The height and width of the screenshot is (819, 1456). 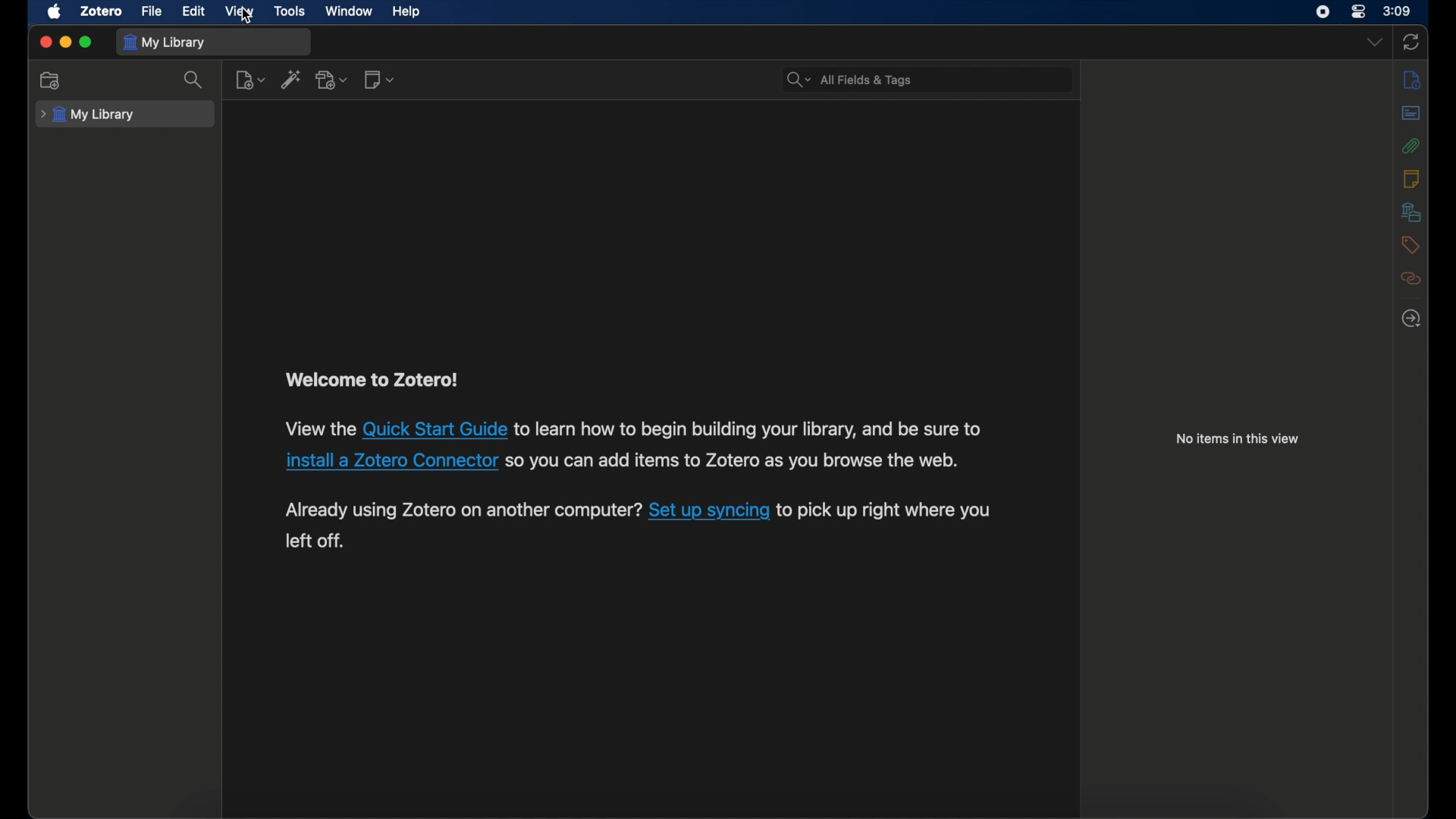 What do you see at coordinates (1398, 11) in the screenshot?
I see `time` at bounding box center [1398, 11].